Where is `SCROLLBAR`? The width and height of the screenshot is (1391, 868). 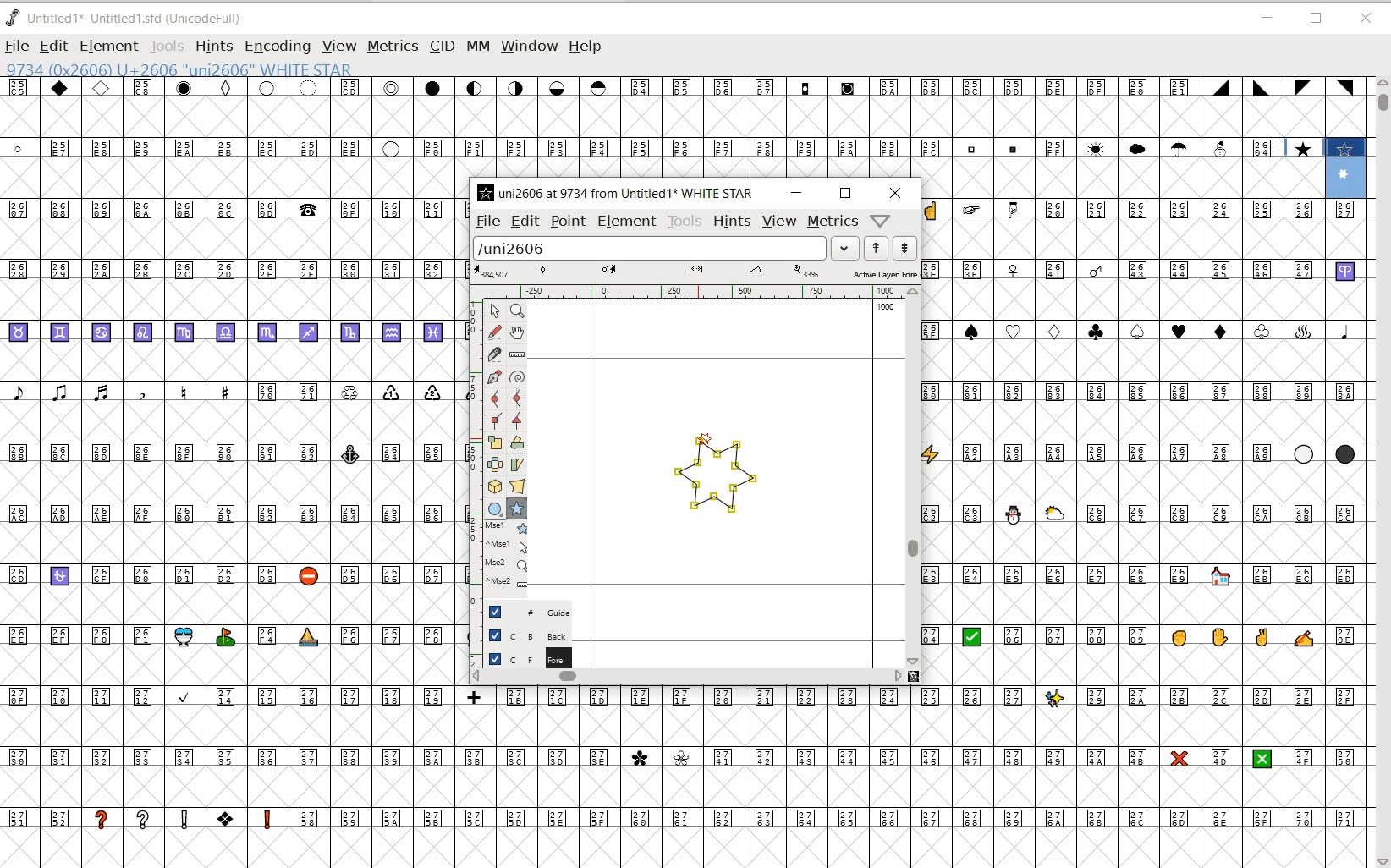 SCROLLBAR is located at coordinates (1381, 472).